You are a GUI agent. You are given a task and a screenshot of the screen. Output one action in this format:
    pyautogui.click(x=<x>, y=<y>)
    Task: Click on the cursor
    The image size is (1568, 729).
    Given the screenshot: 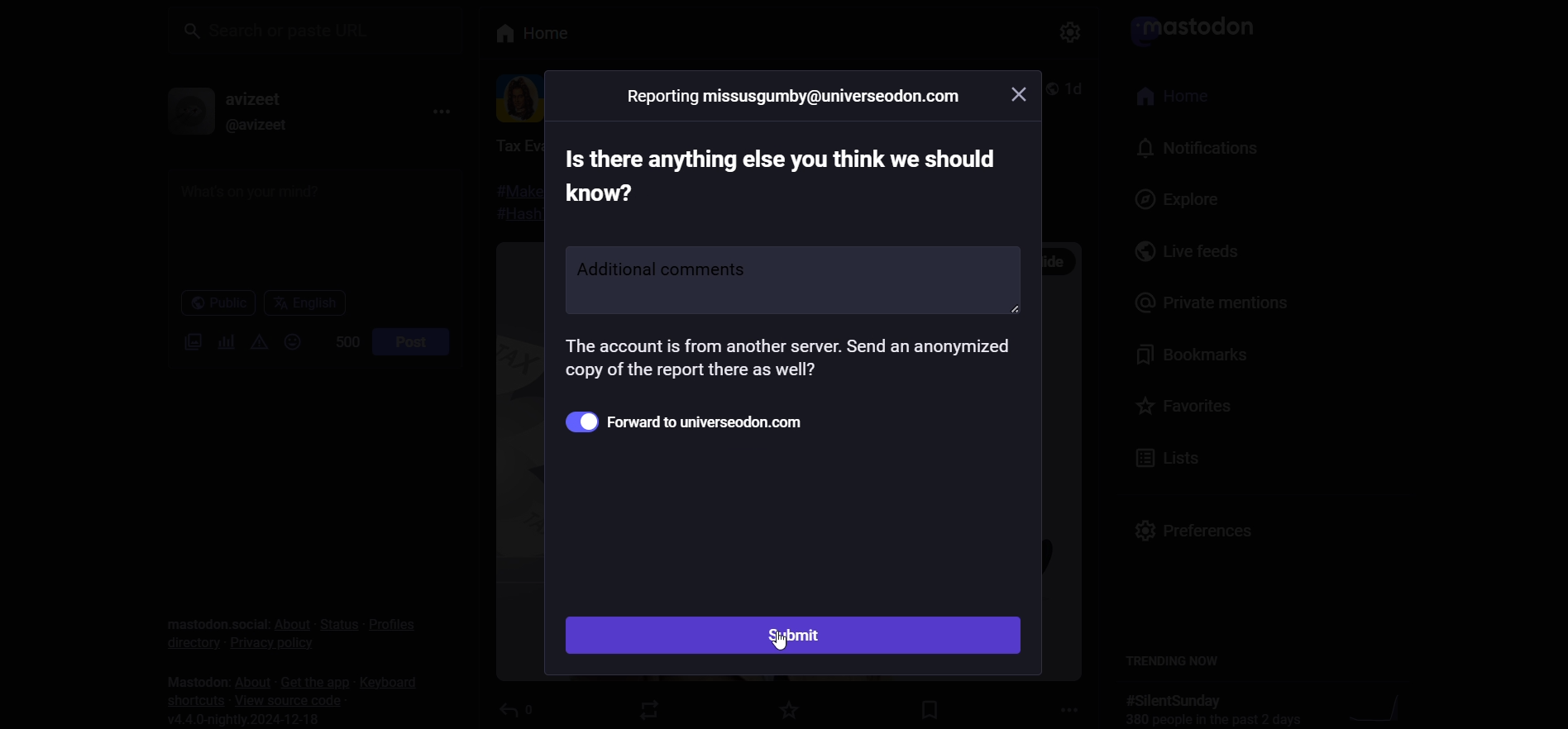 What is the action you would take?
    pyautogui.click(x=784, y=648)
    